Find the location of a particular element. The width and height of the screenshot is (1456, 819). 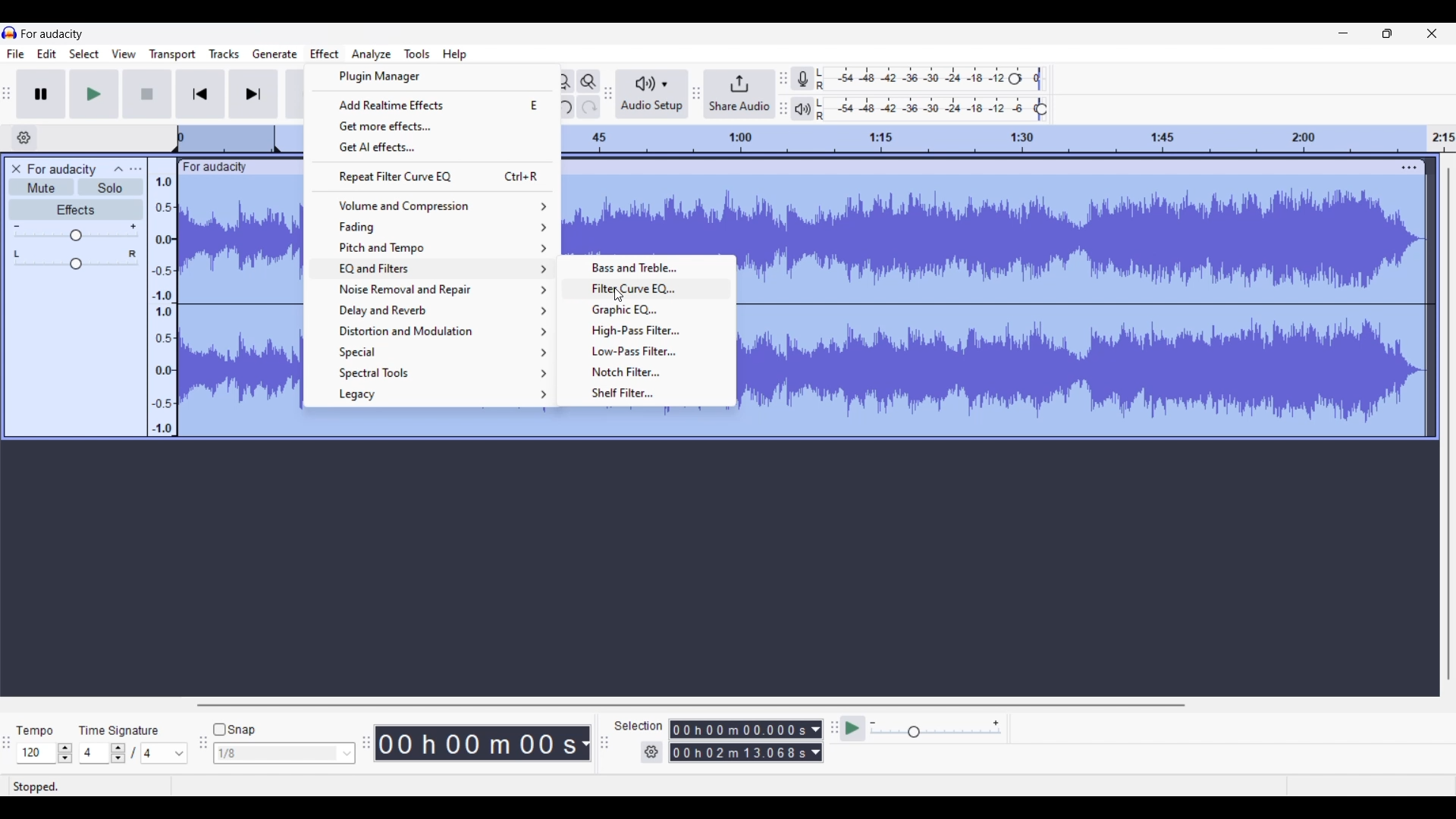

File menu is located at coordinates (15, 55).